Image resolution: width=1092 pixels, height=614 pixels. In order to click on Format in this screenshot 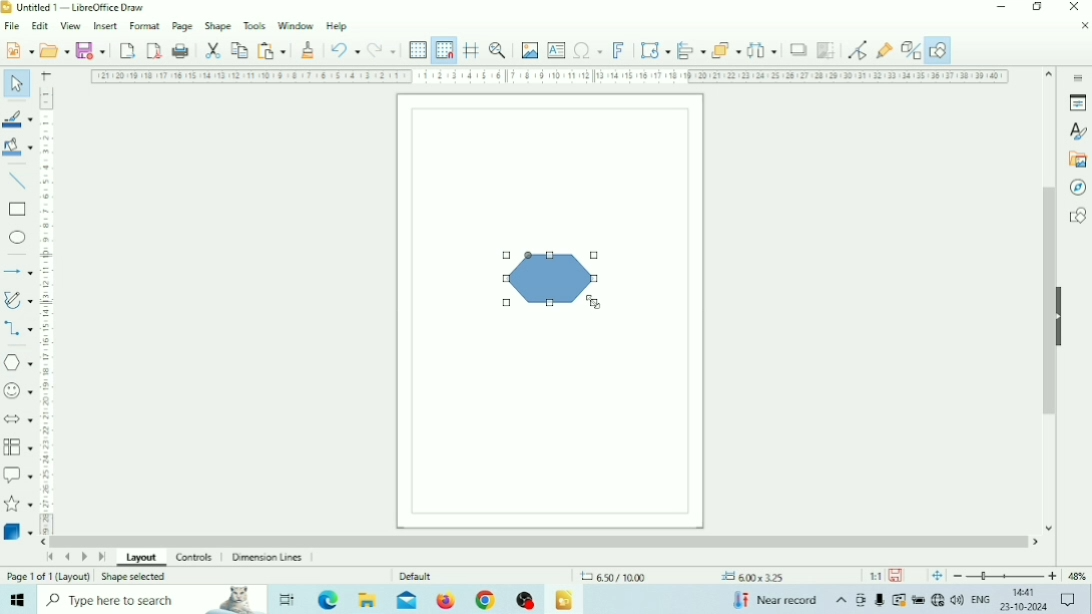, I will do `click(146, 25)`.